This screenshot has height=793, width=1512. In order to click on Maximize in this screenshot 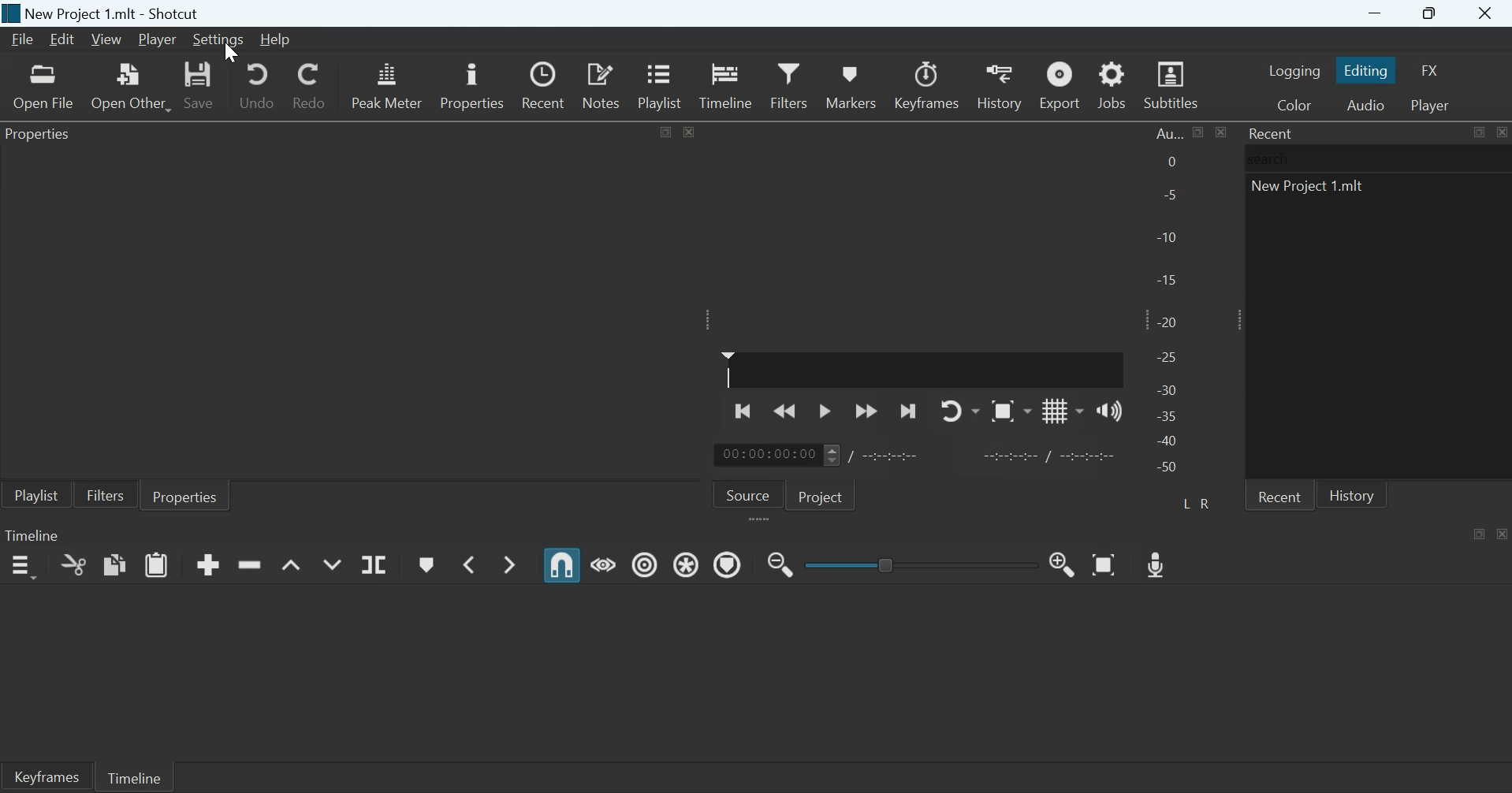, I will do `click(667, 130)`.